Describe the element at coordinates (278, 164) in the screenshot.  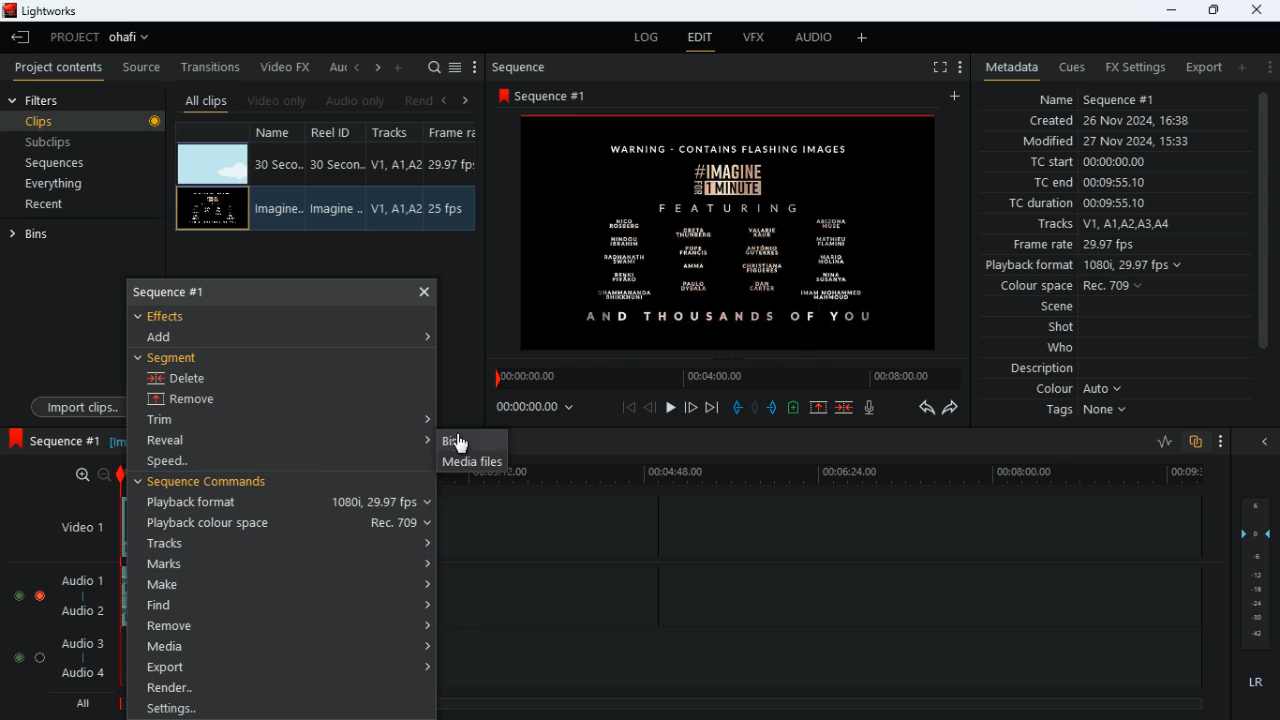
I see `Name` at that location.